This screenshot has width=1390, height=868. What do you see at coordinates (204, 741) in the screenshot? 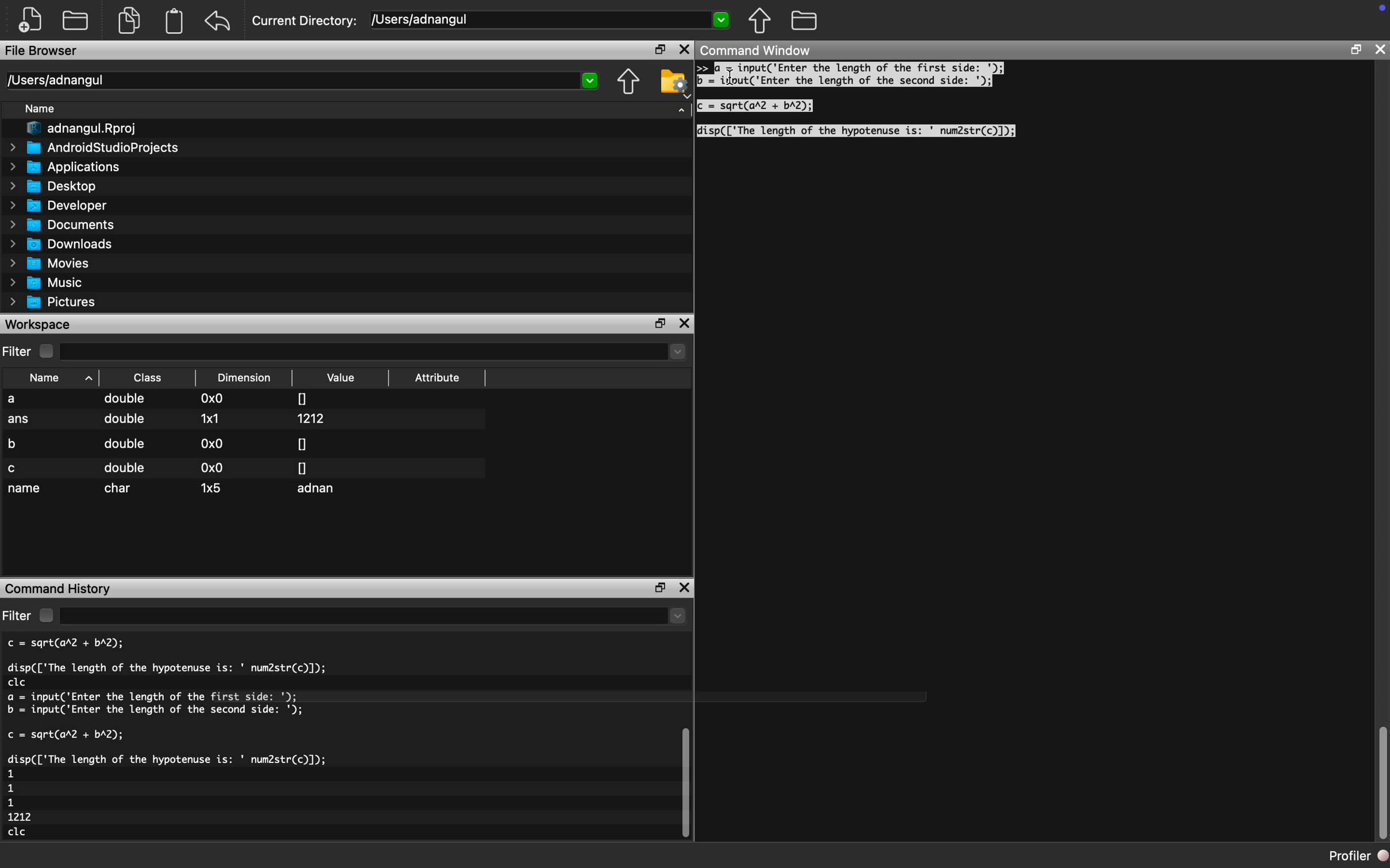
I see `c = sqrt(arl + bA2);

disp(['The length of the hypotenuse is: ' num2str(c)]);
clc

a = input('Enter the length of the first side: ');

b = input('Enter the length of the second side: ');

c = sqrt(ar2 + bA2);

disp(['The length of the hypotenuse is: ' num2str(c)]);
1

1

1

1212

clc` at bounding box center [204, 741].